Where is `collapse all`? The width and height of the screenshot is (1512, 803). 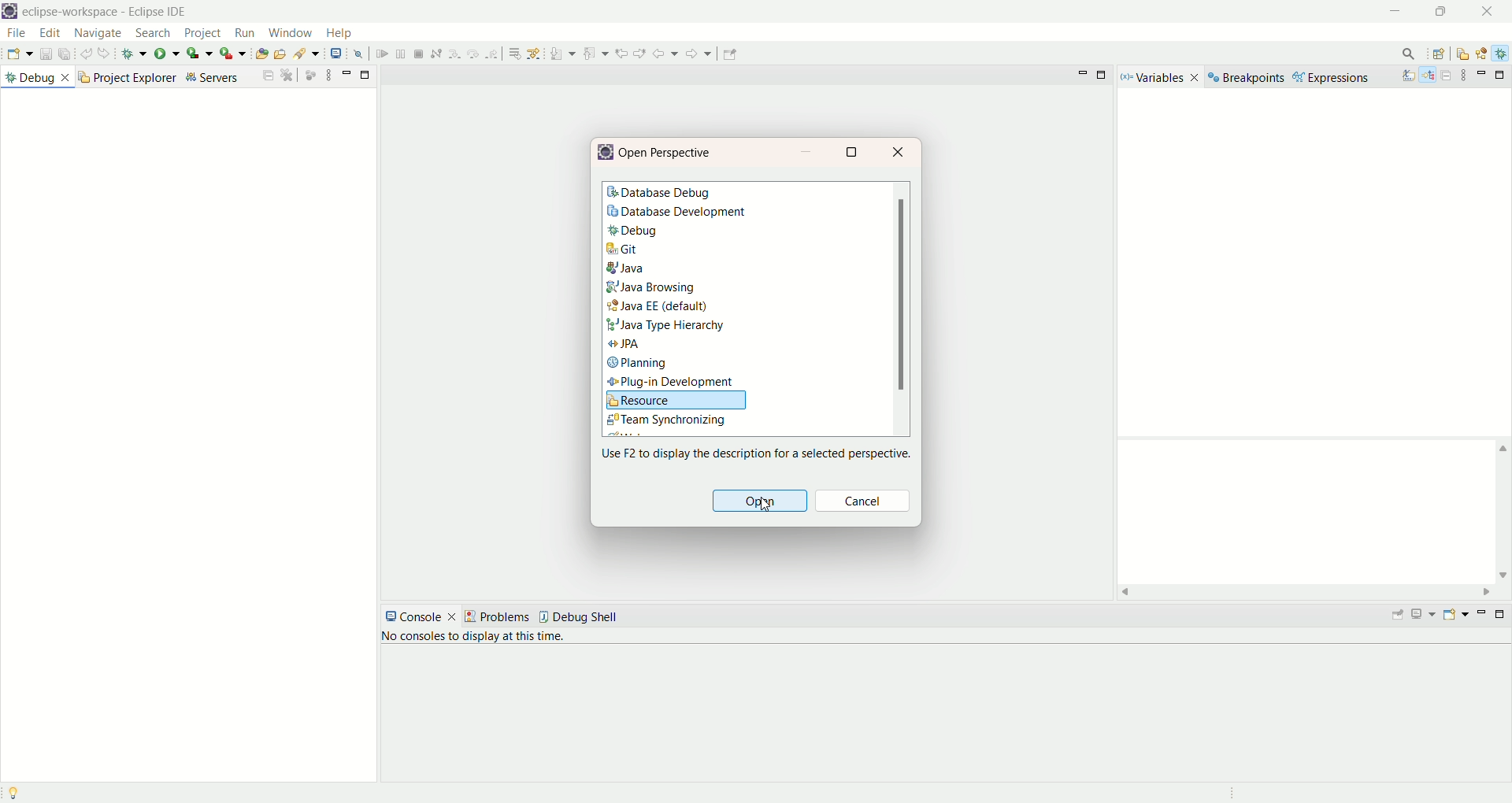 collapse all is located at coordinates (1447, 76).